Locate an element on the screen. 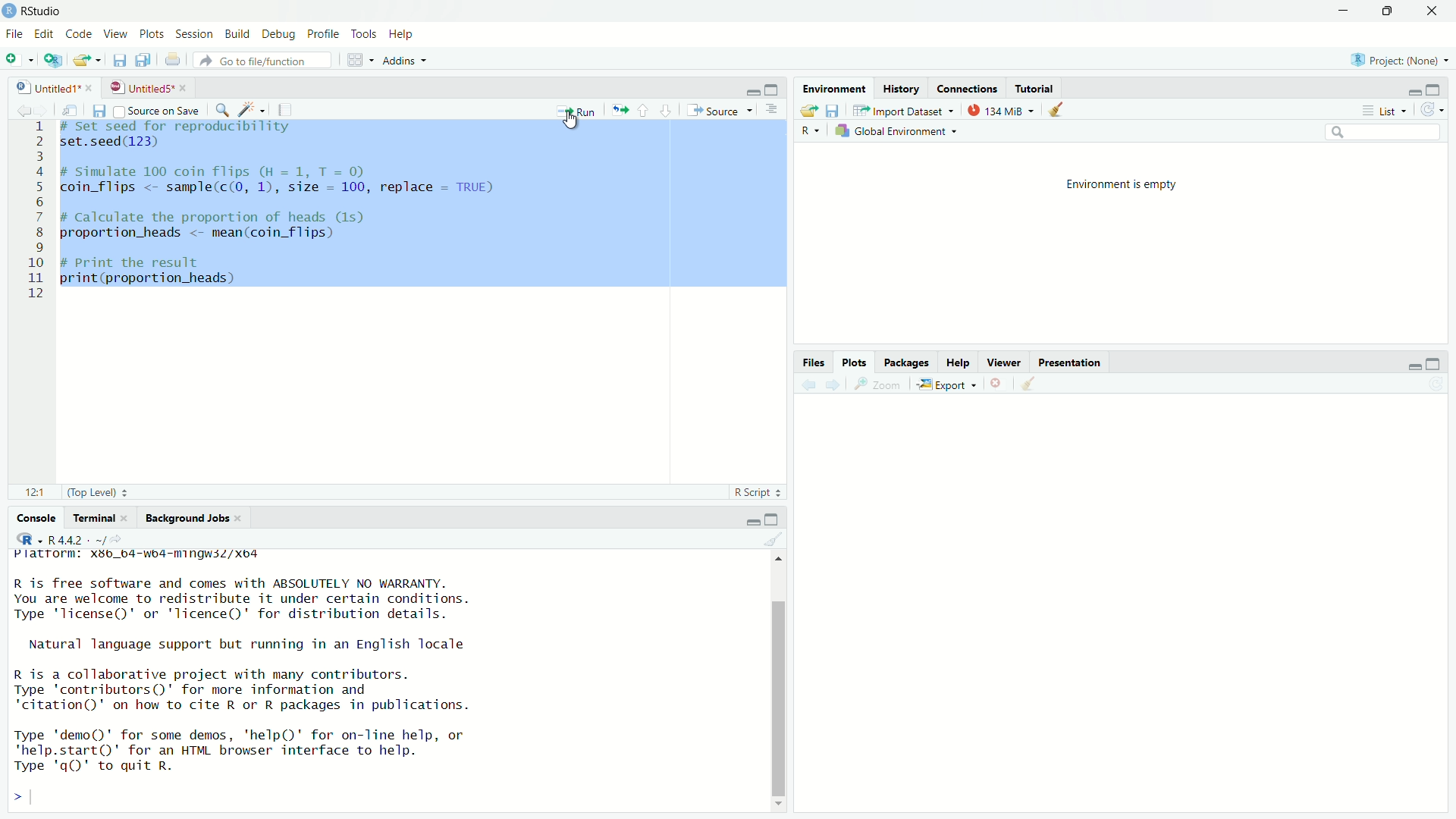  move down is located at coordinates (777, 802).